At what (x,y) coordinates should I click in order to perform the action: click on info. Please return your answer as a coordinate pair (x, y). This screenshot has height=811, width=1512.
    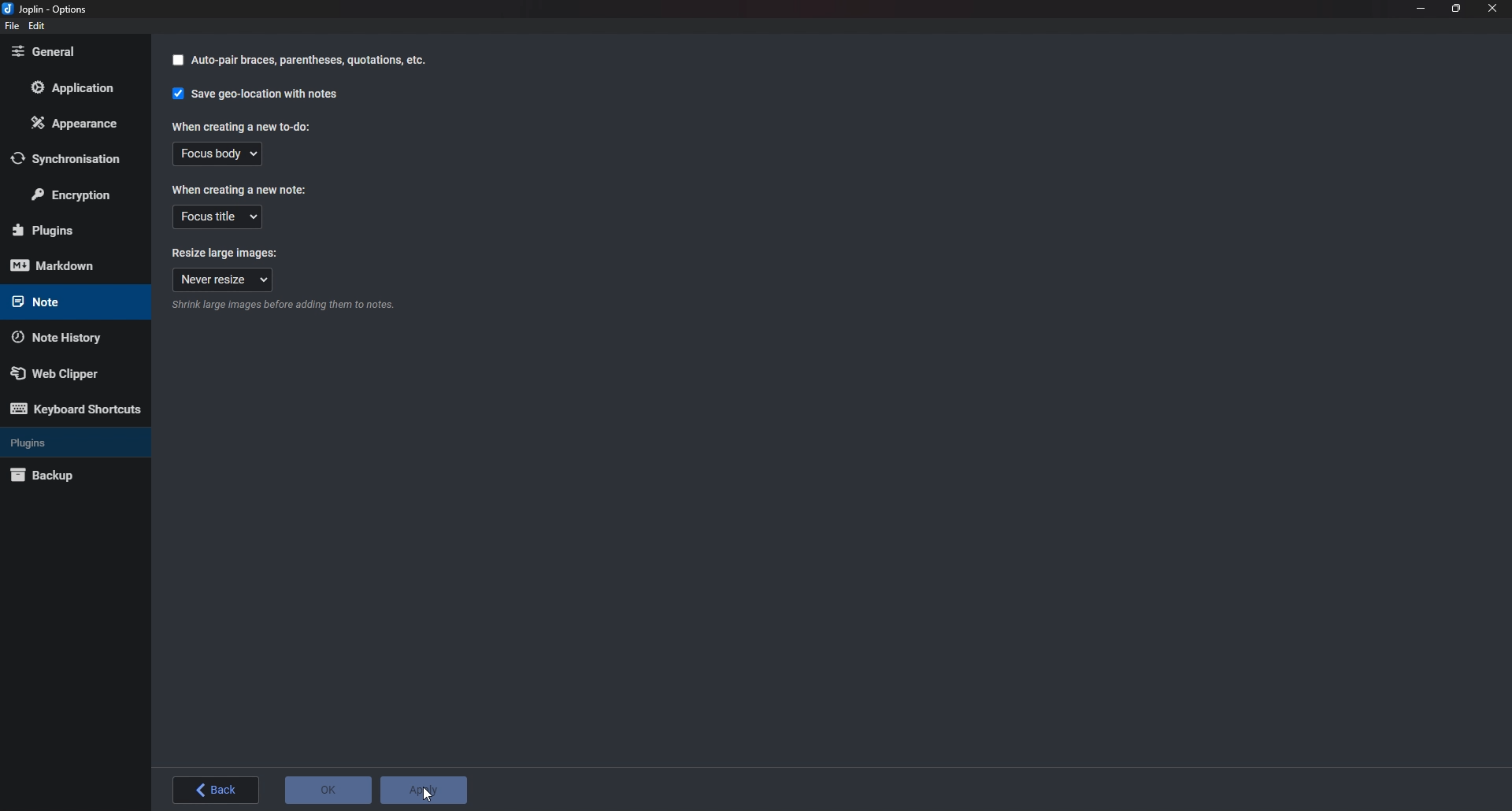
    Looking at the image, I should click on (287, 305).